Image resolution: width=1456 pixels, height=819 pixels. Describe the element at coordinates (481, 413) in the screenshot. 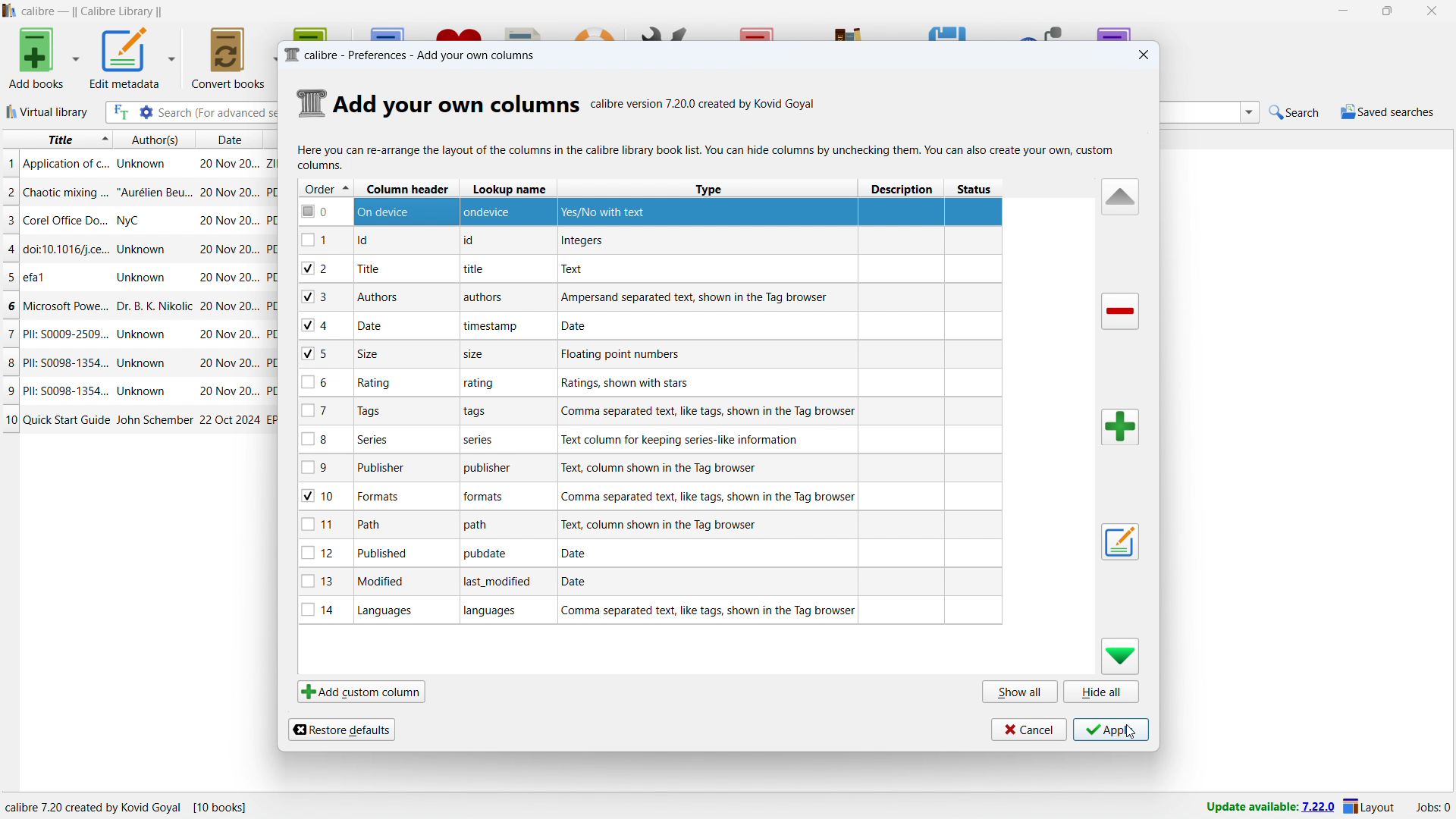

I see `tags` at that location.